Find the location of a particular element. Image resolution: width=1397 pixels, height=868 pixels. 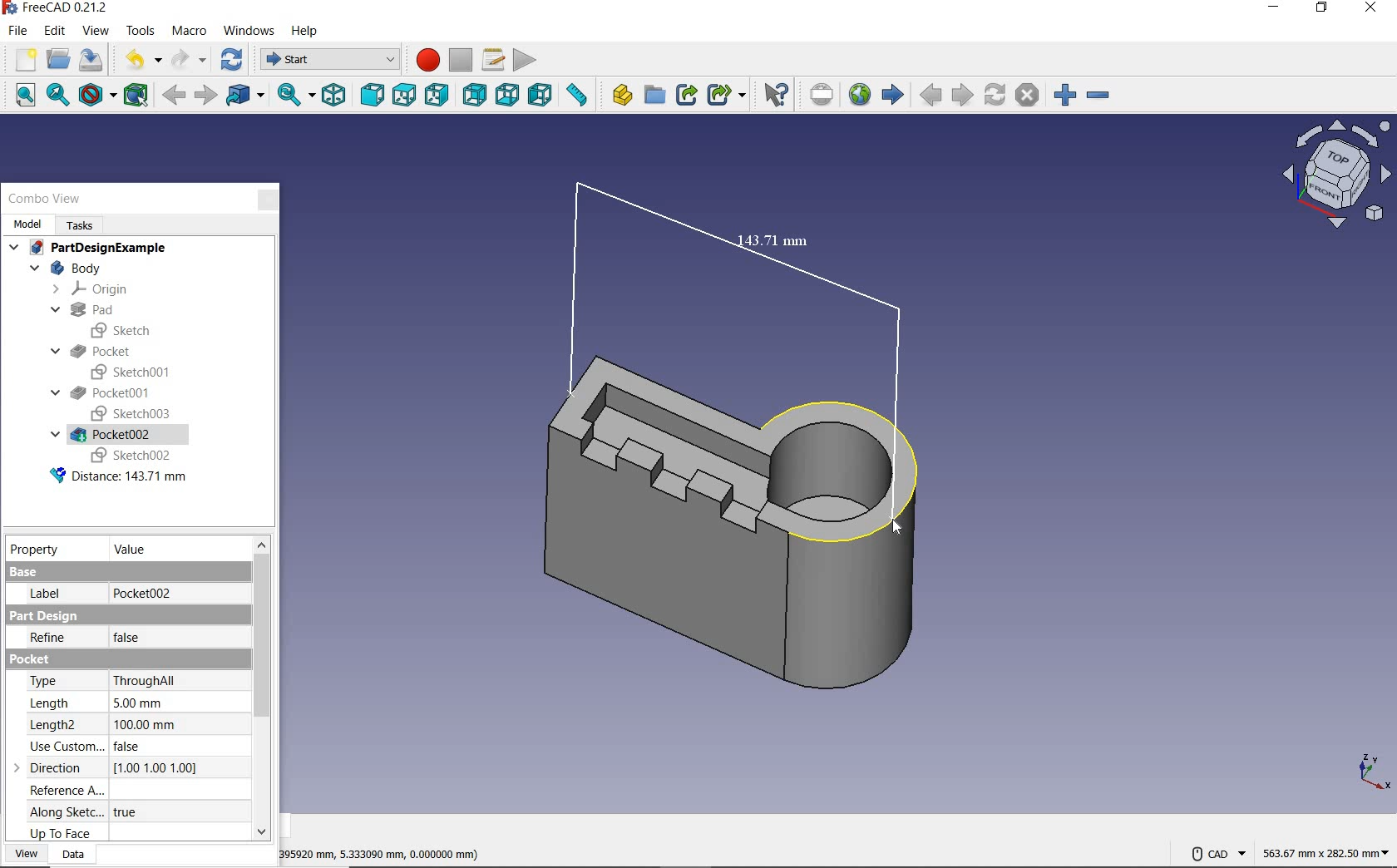

along sketch is located at coordinates (62, 815).